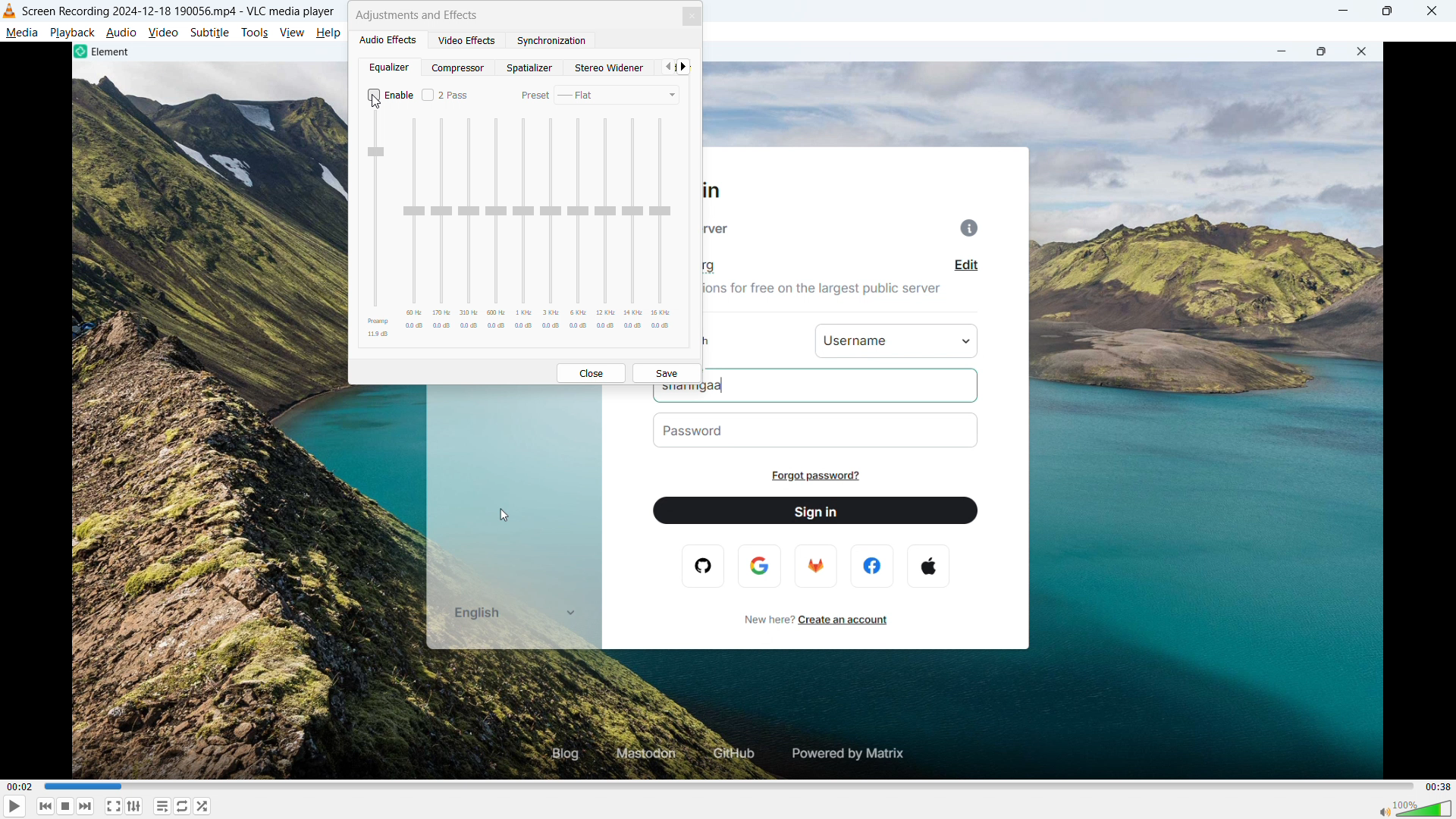 Image resolution: width=1456 pixels, height=819 pixels. What do you see at coordinates (378, 230) in the screenshot?
I see `Adjust preAmp ` at bounding box center [378, 230].